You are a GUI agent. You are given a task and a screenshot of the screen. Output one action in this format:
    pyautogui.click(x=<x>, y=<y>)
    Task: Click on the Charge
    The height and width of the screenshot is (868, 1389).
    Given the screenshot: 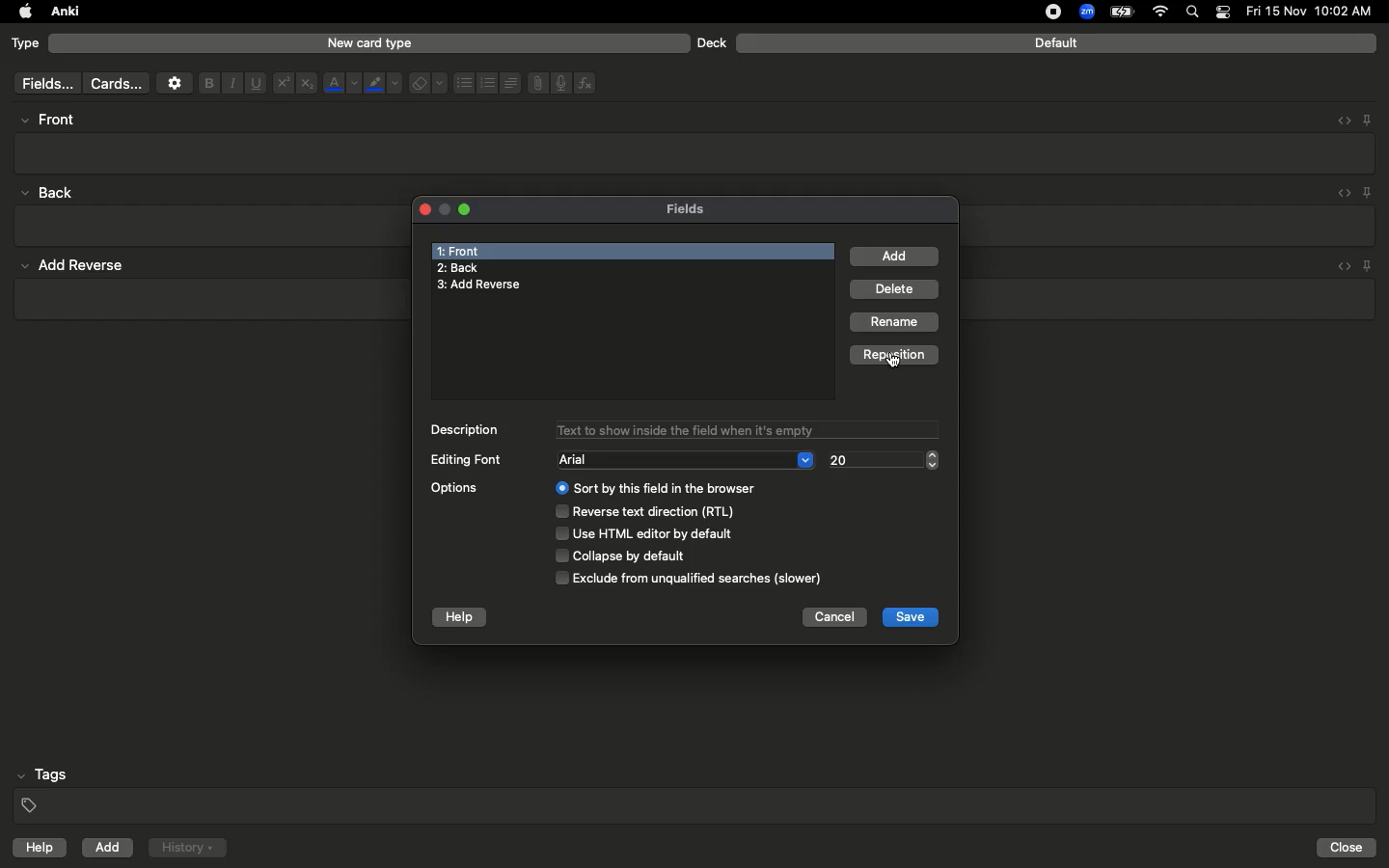 What is the action you would take?
    pyautogui.click(x=1121, y=12)
    